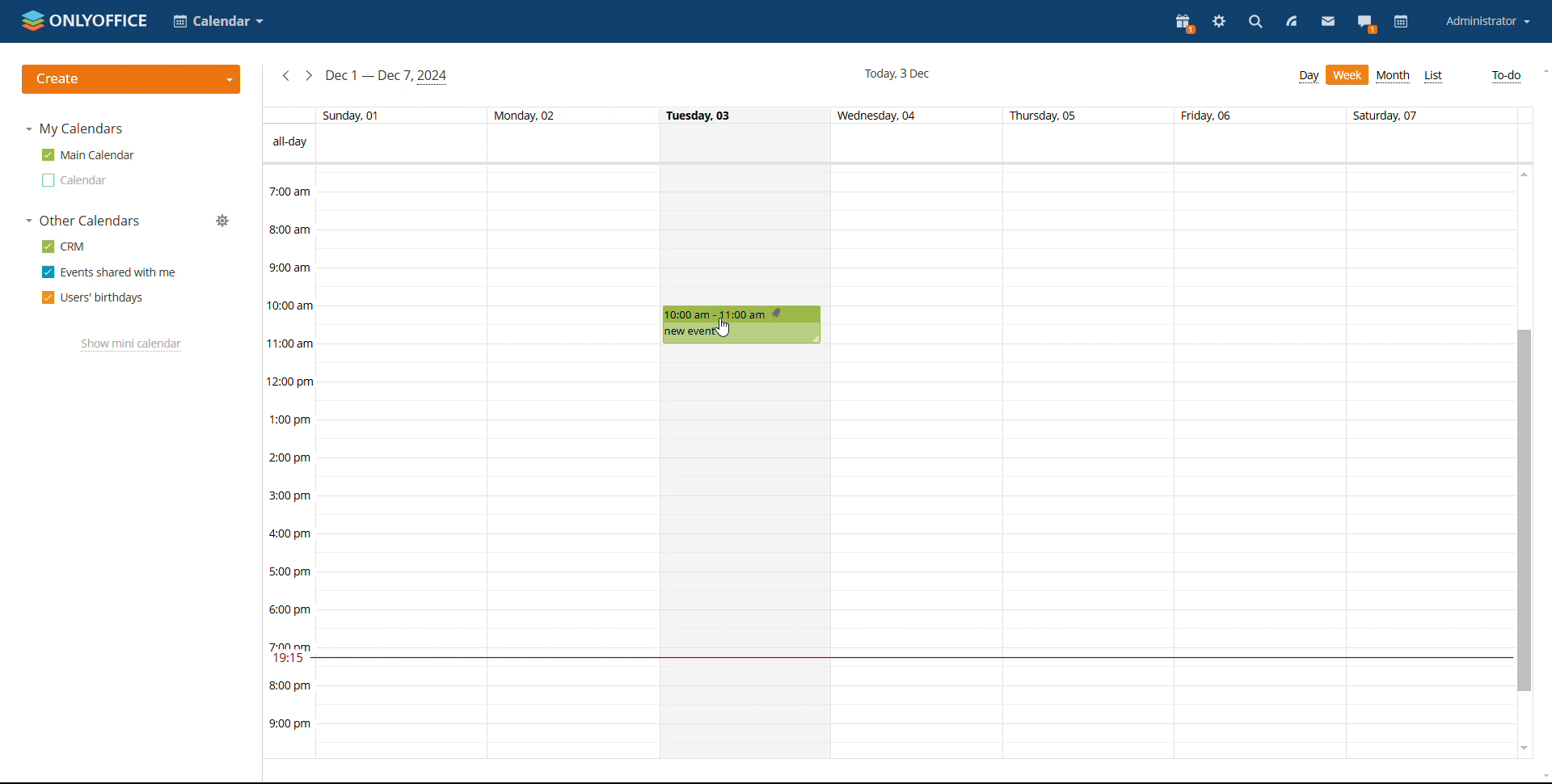 The height and width of the screenshot is (784, 1552). I want to click on 8:00 pm, so click(290, 685).